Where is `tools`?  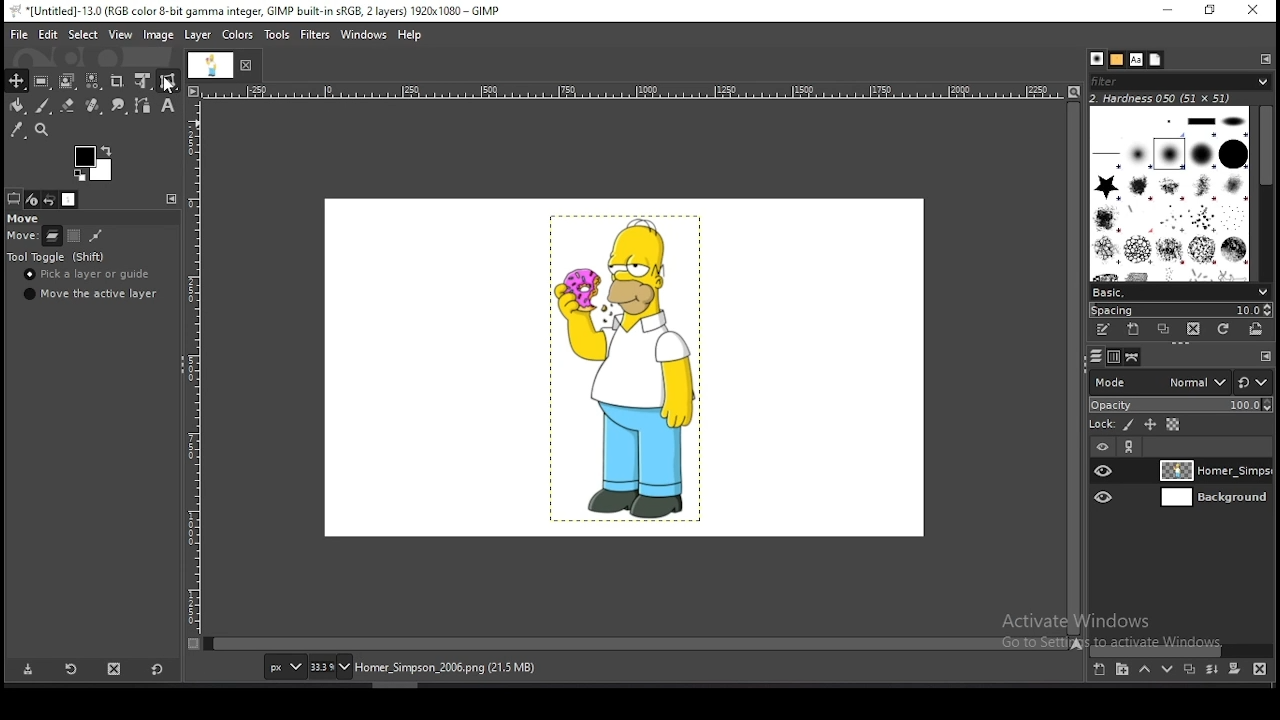
tools is located at coordinates (278, 35).